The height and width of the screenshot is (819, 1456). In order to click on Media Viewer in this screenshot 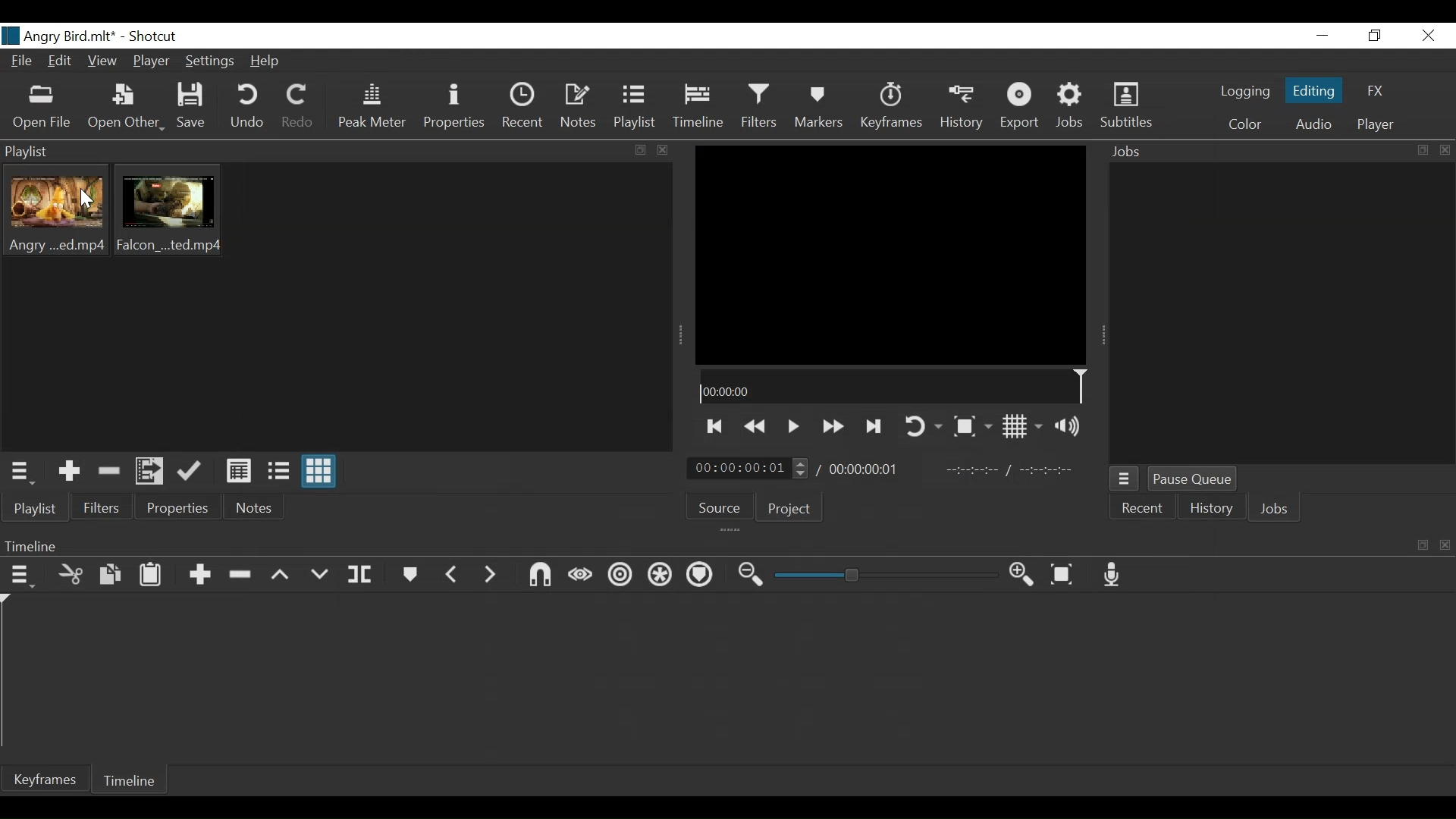, I will do `click(890, 255)`.